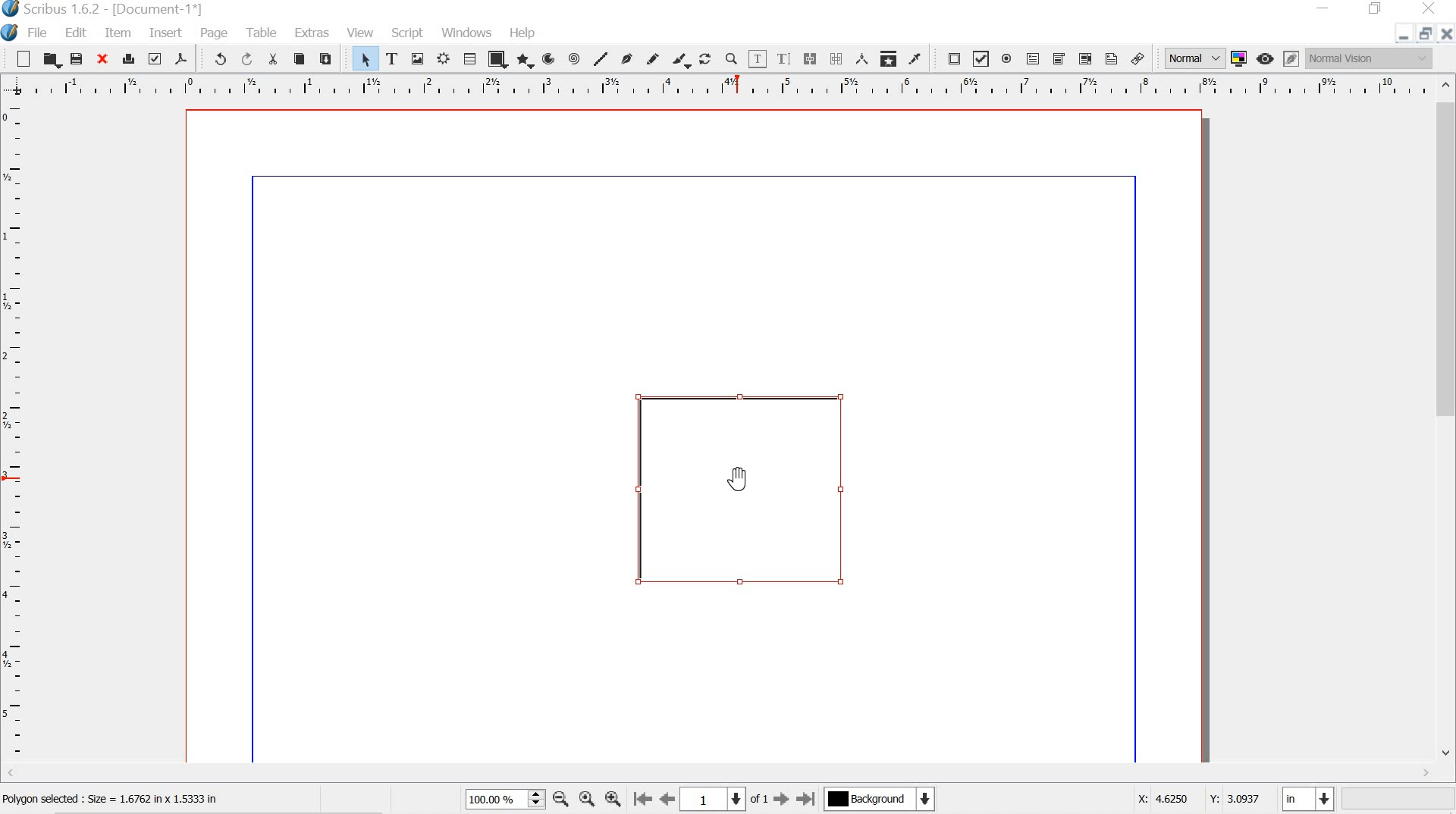  I want to click on RESTORE DOWN, so click(1423, 36).